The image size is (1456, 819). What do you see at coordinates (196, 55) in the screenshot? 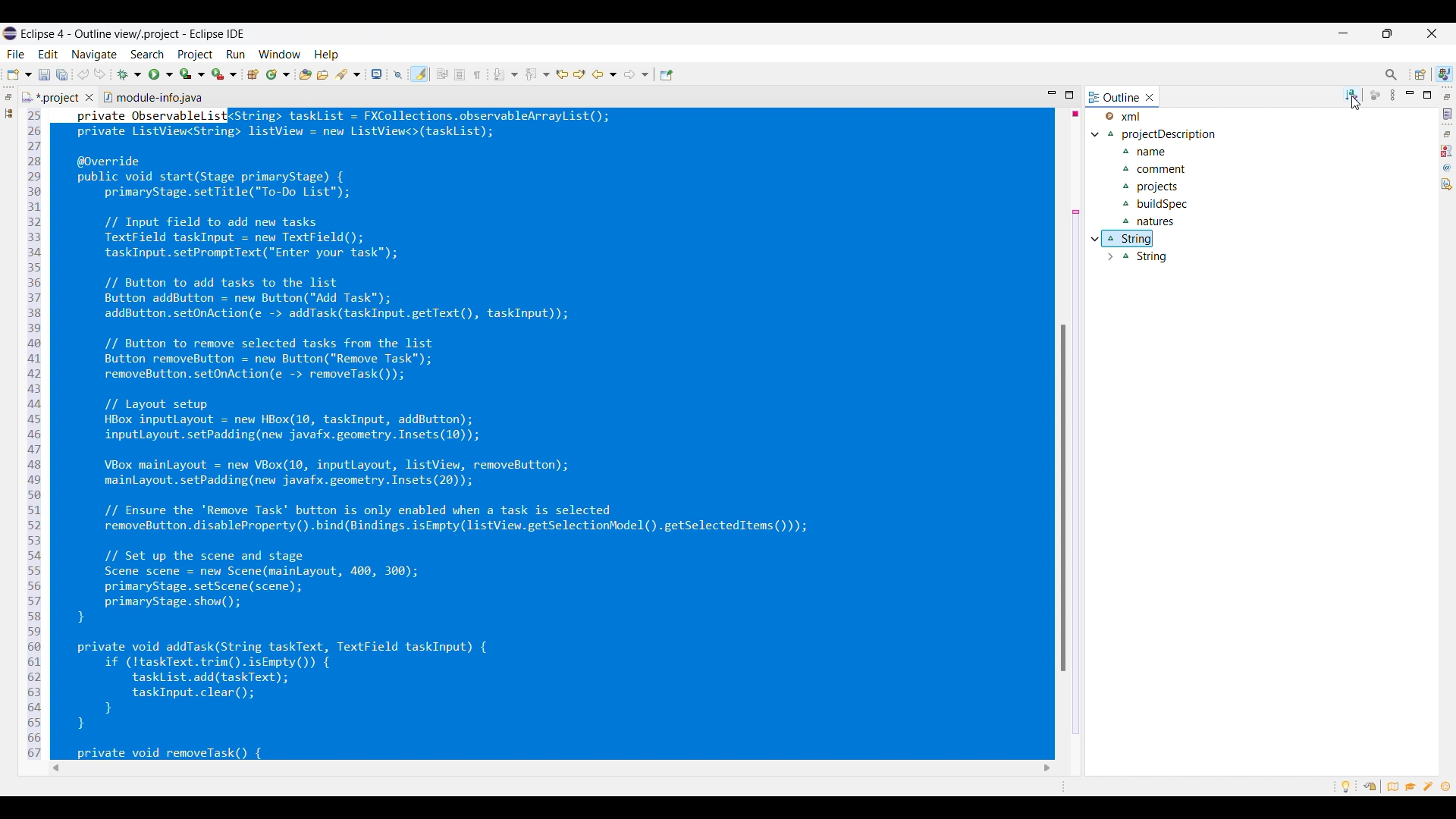
I see `Project menu` at bounding box center [196, 55].